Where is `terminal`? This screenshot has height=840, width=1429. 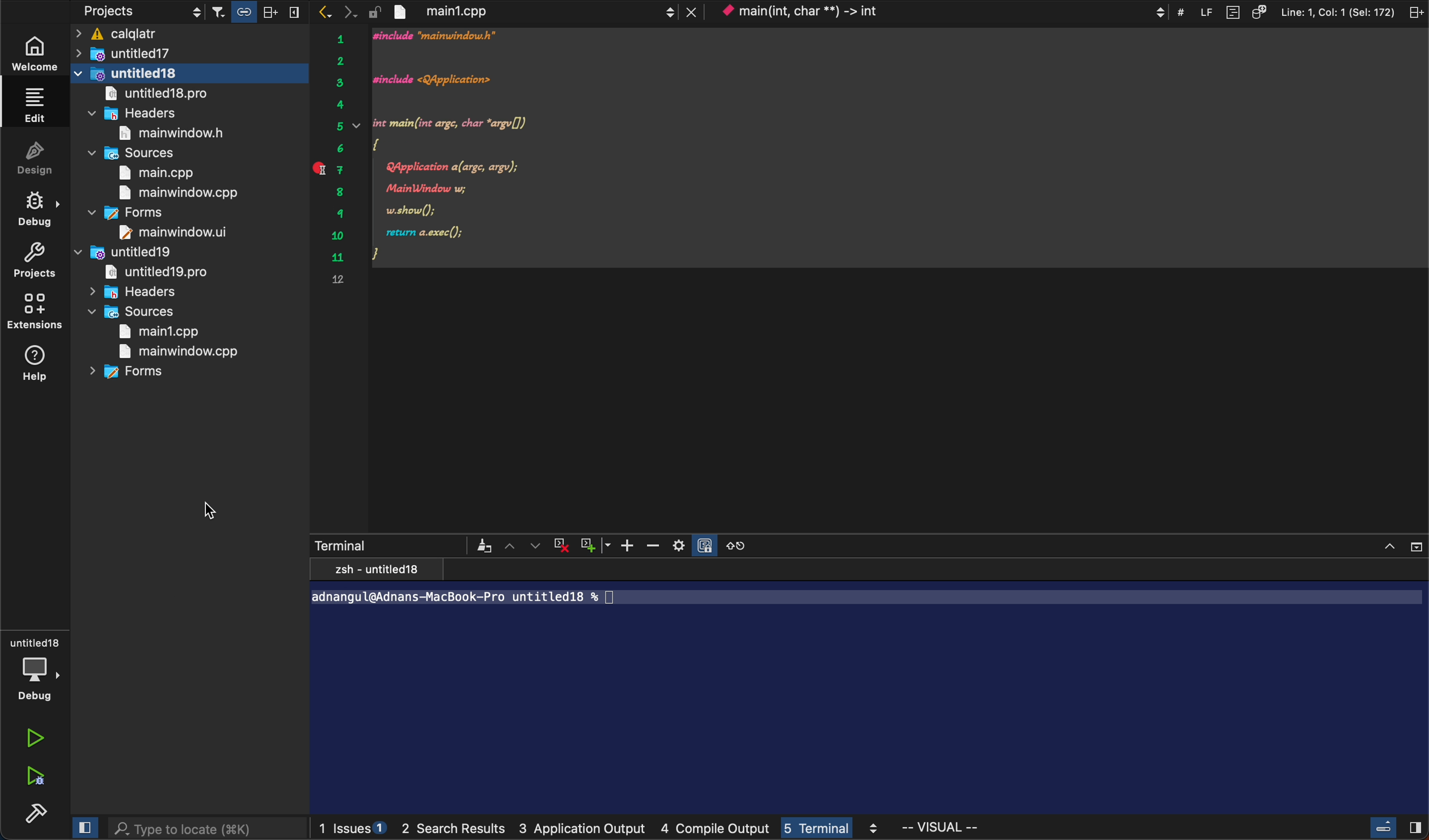 terminal is located at coordinates (873, 685).